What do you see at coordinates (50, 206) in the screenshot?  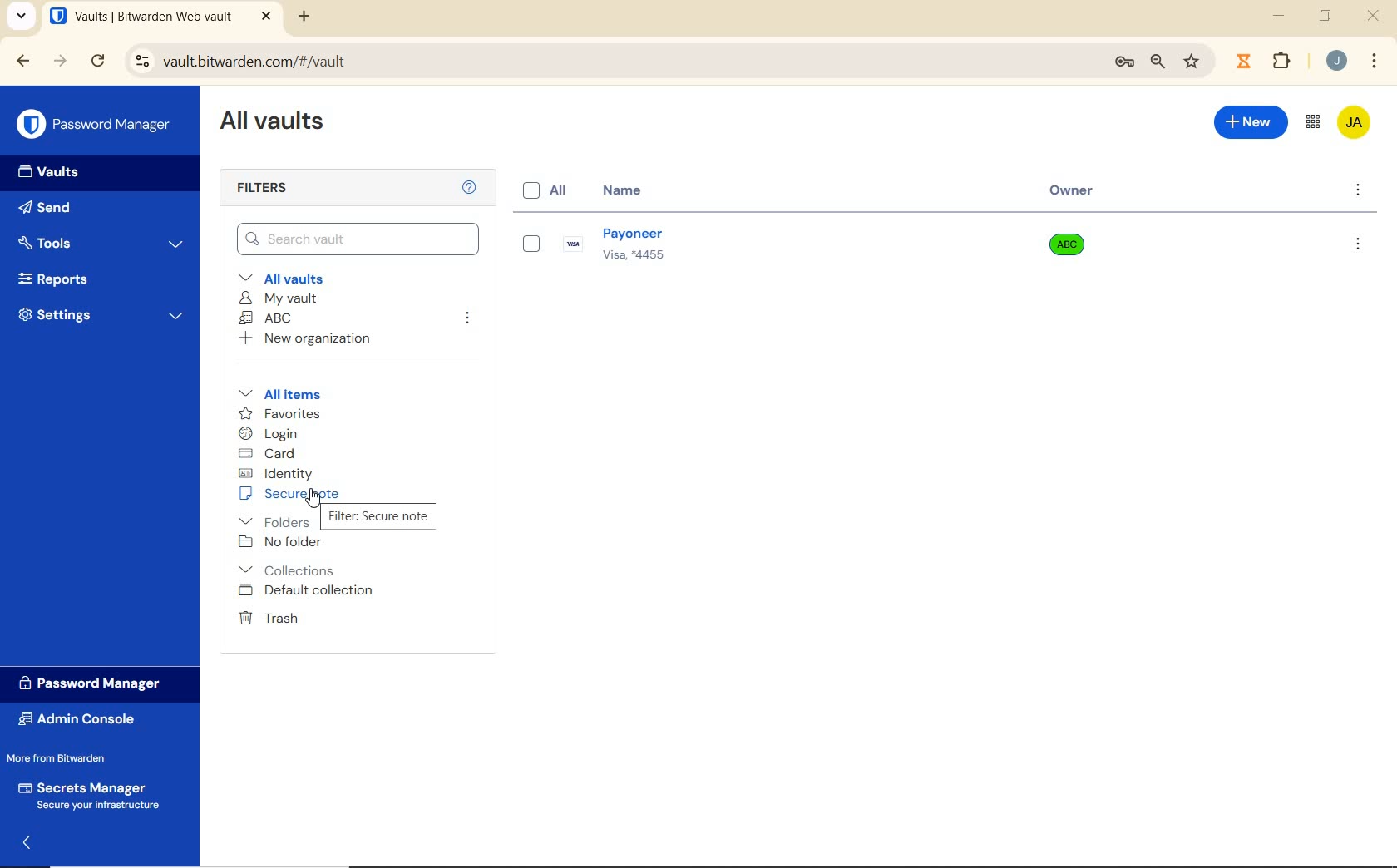 I see `Send` at bounding box center [50, 206].